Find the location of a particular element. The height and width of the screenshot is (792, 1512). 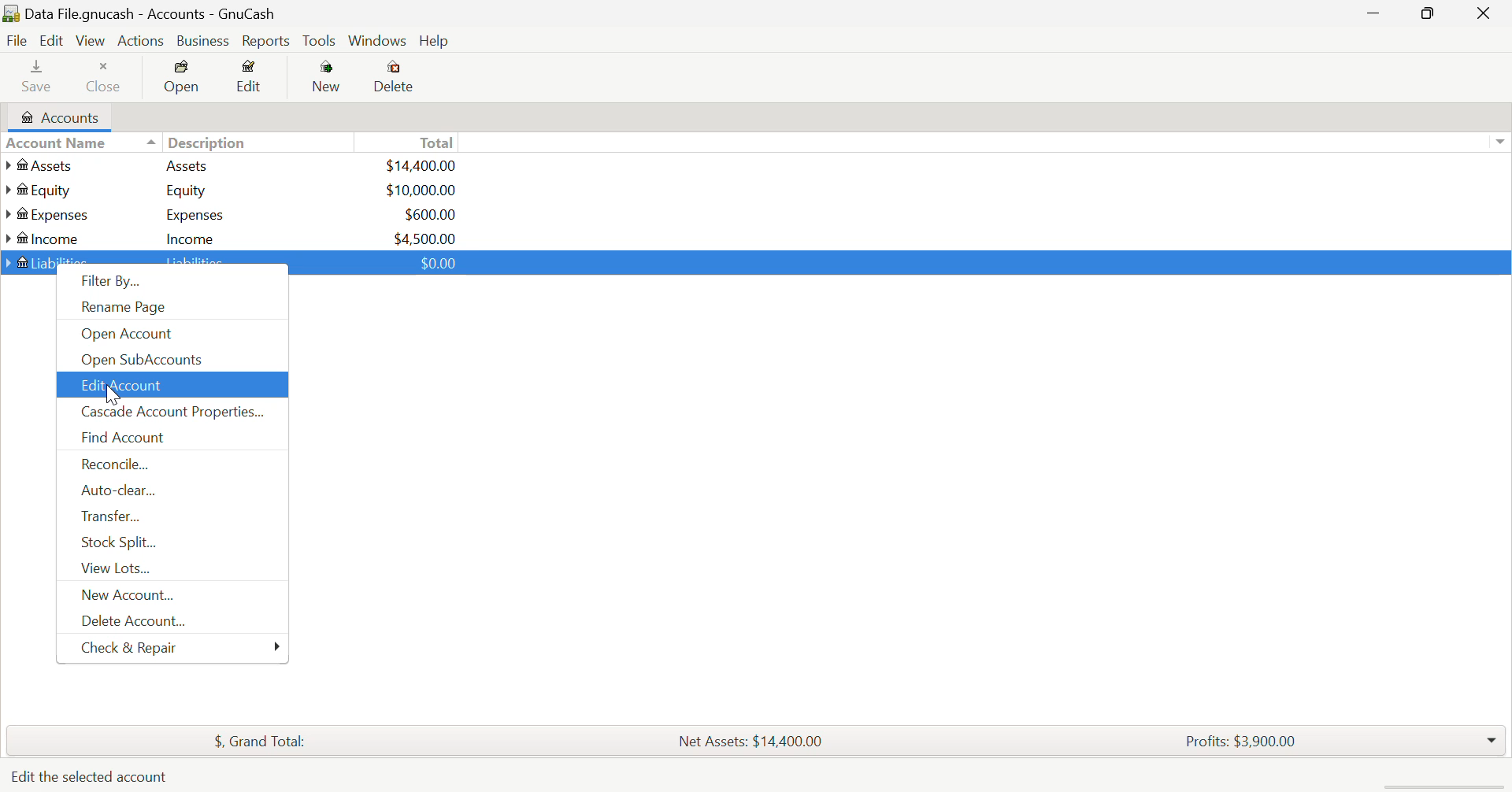

Reports is located at coordinates (269, 41).